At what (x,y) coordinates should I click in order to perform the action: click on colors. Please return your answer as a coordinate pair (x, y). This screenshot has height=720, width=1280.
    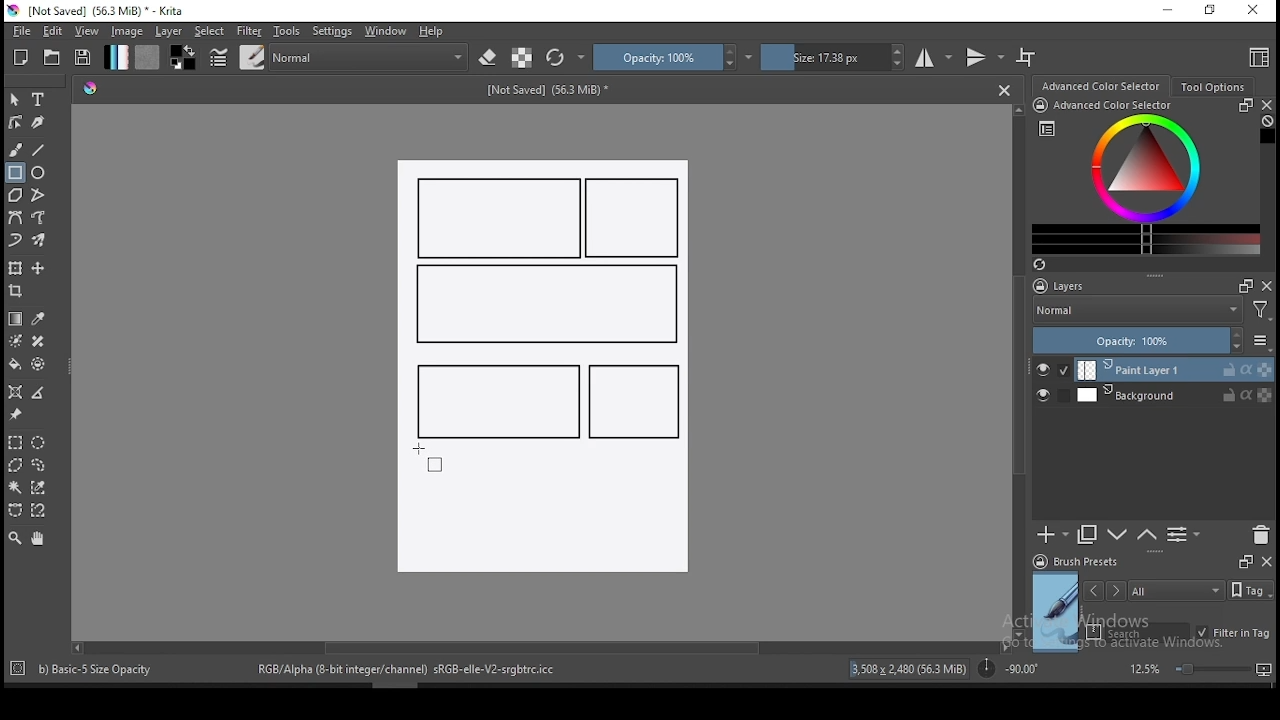
    Looking at the image, I should click on (183, 57).